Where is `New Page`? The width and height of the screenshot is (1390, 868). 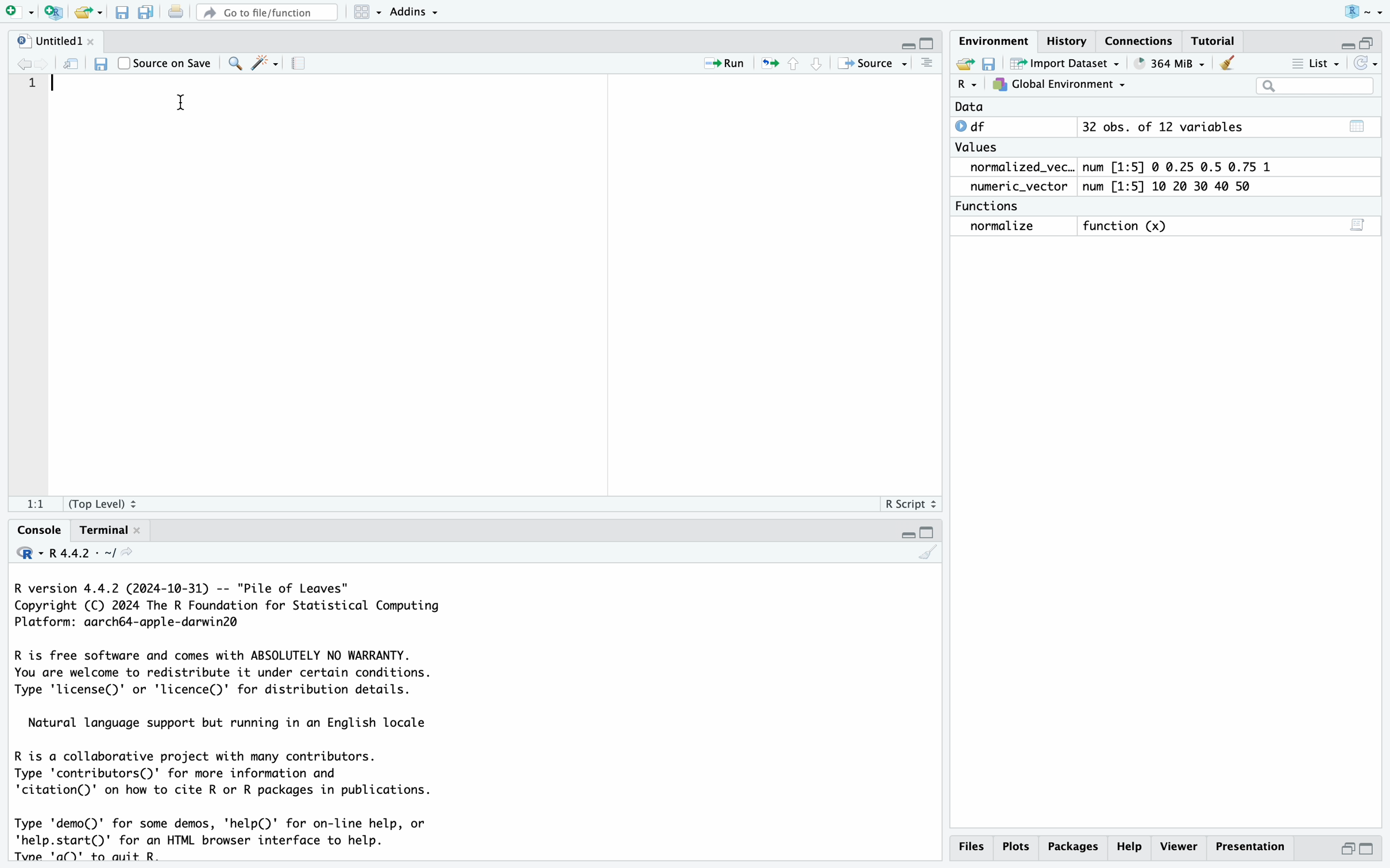 New Page is located at coordinates (15, 10).